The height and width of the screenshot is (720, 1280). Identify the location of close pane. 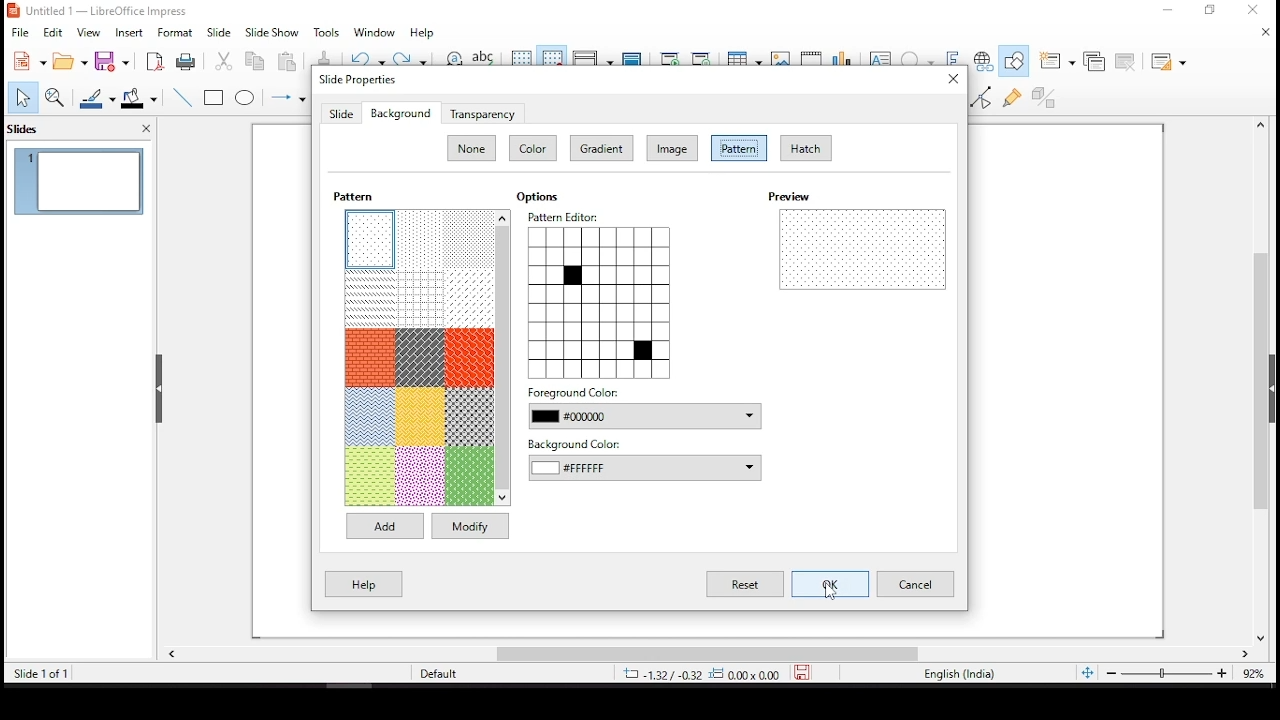
(159, 391).